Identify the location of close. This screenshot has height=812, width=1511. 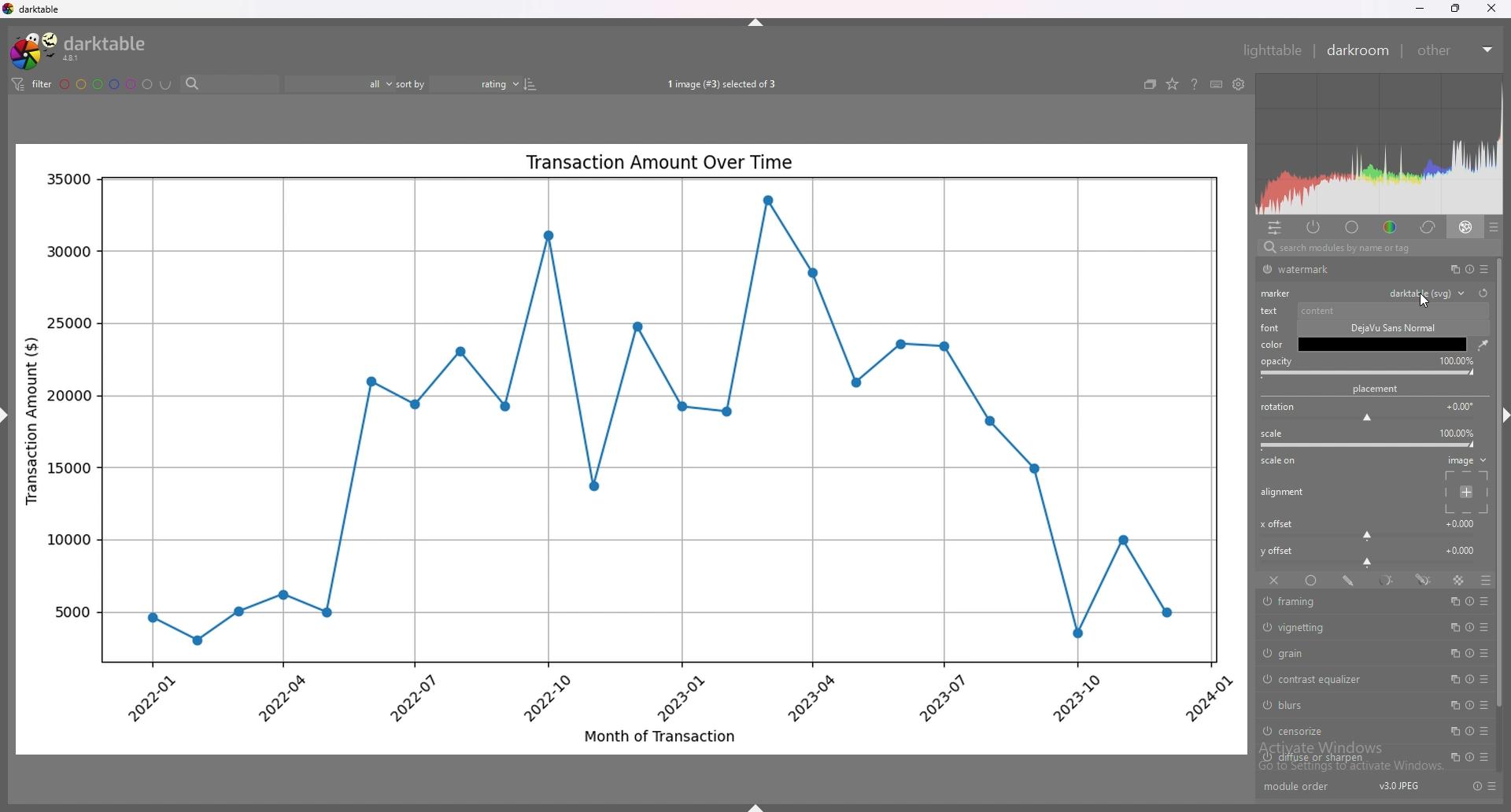
(1489, 9).